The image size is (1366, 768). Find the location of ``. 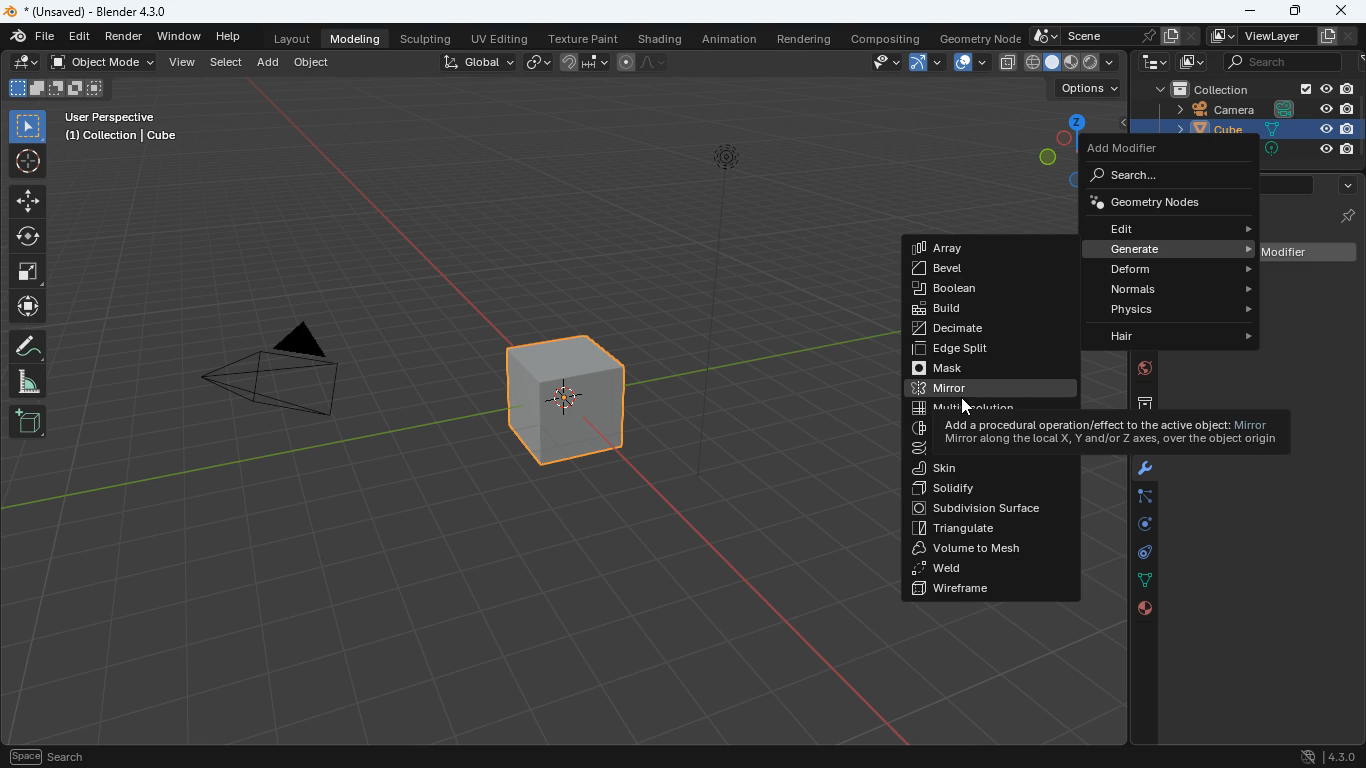

 is located at coordinates (1278, 129).